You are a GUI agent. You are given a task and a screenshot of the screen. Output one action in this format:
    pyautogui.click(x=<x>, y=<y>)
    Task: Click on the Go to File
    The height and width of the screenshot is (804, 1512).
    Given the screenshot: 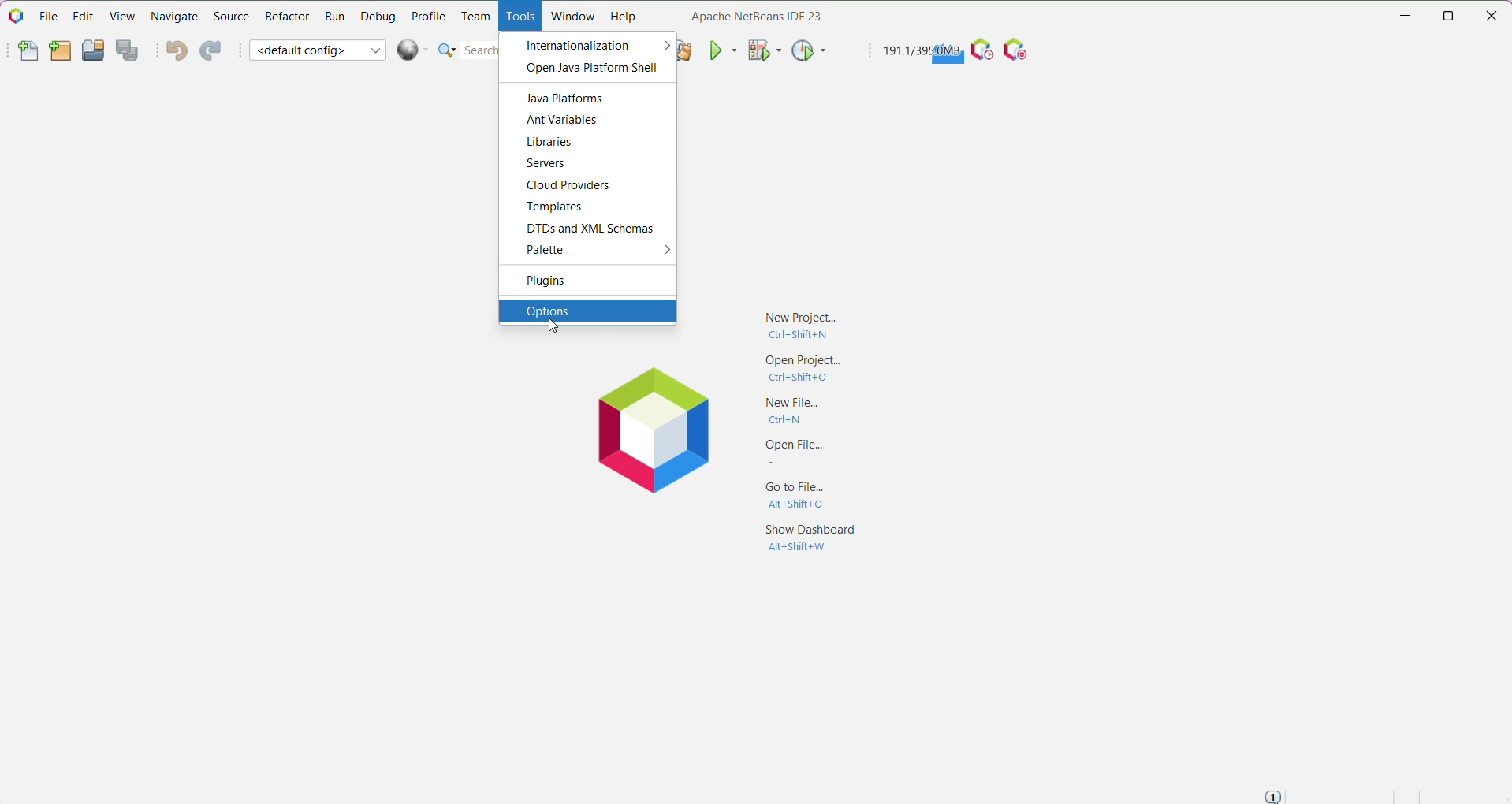 What is the action you would take?
    pyautogui.click(x=788, y=498)
    